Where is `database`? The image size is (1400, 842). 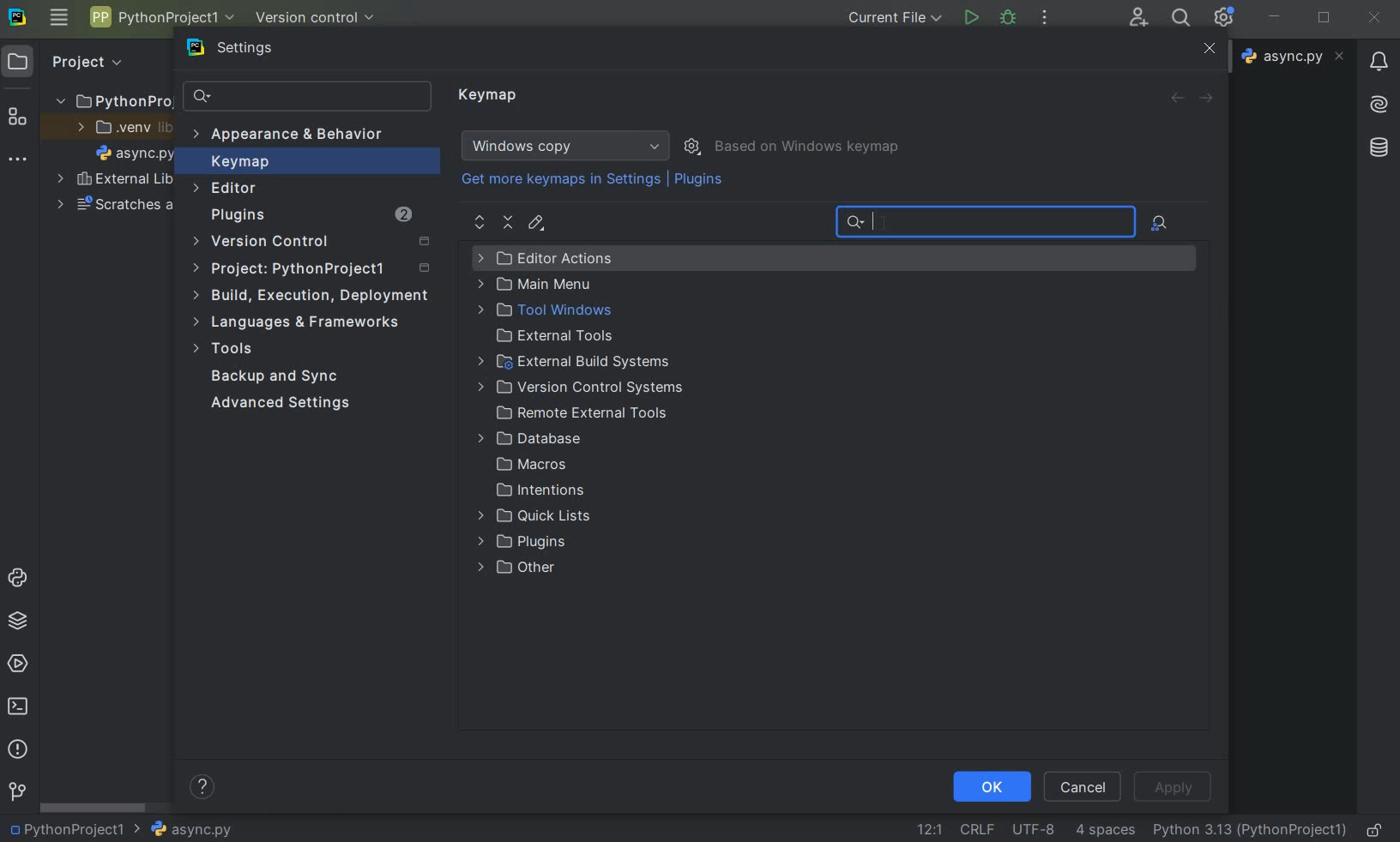 database is located at coordinates (1381, 145).